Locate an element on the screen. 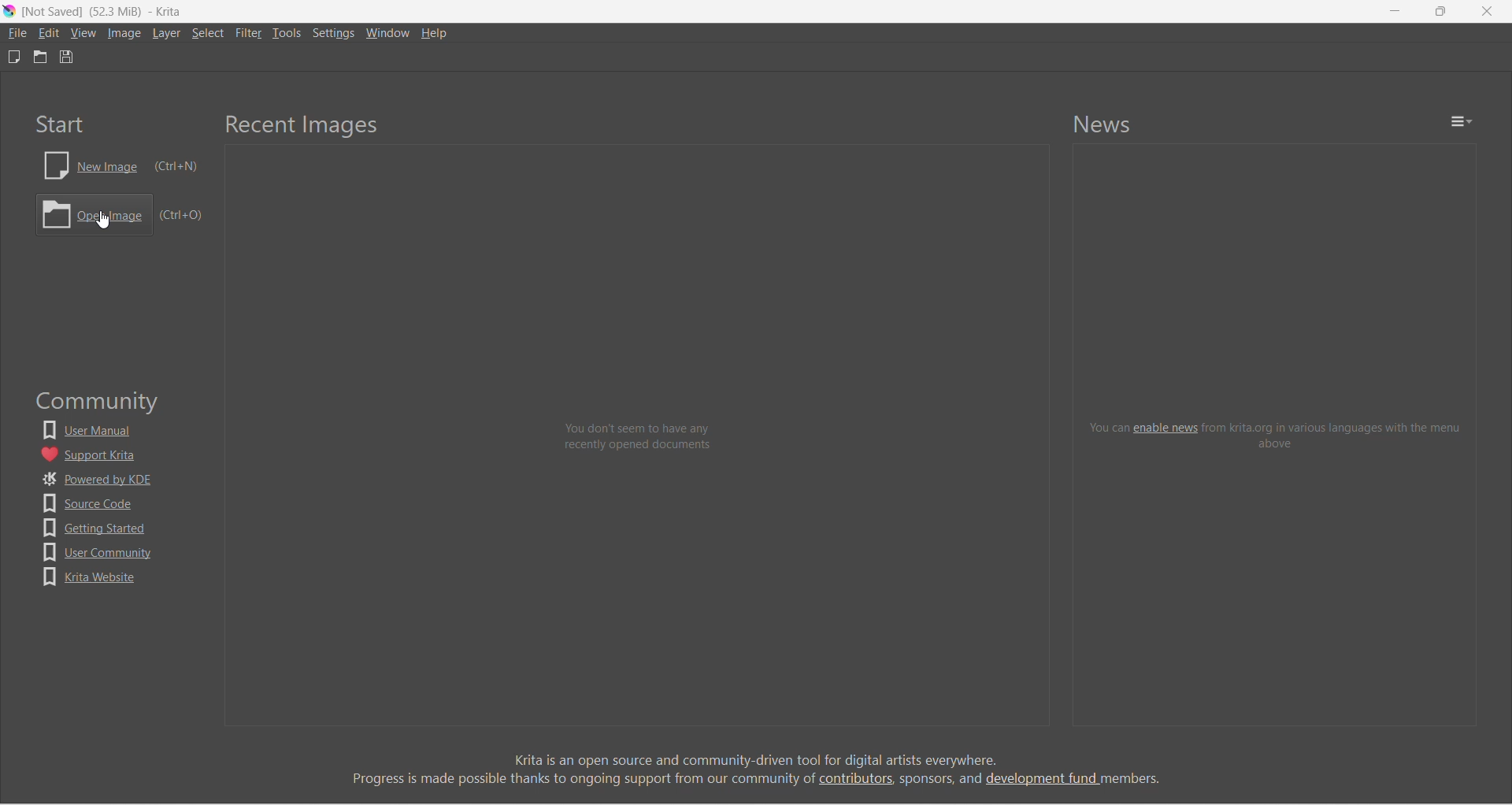 Image resolution: width=1512 pixels, height=805 pixels. settings is located at coordinates (335, 32).